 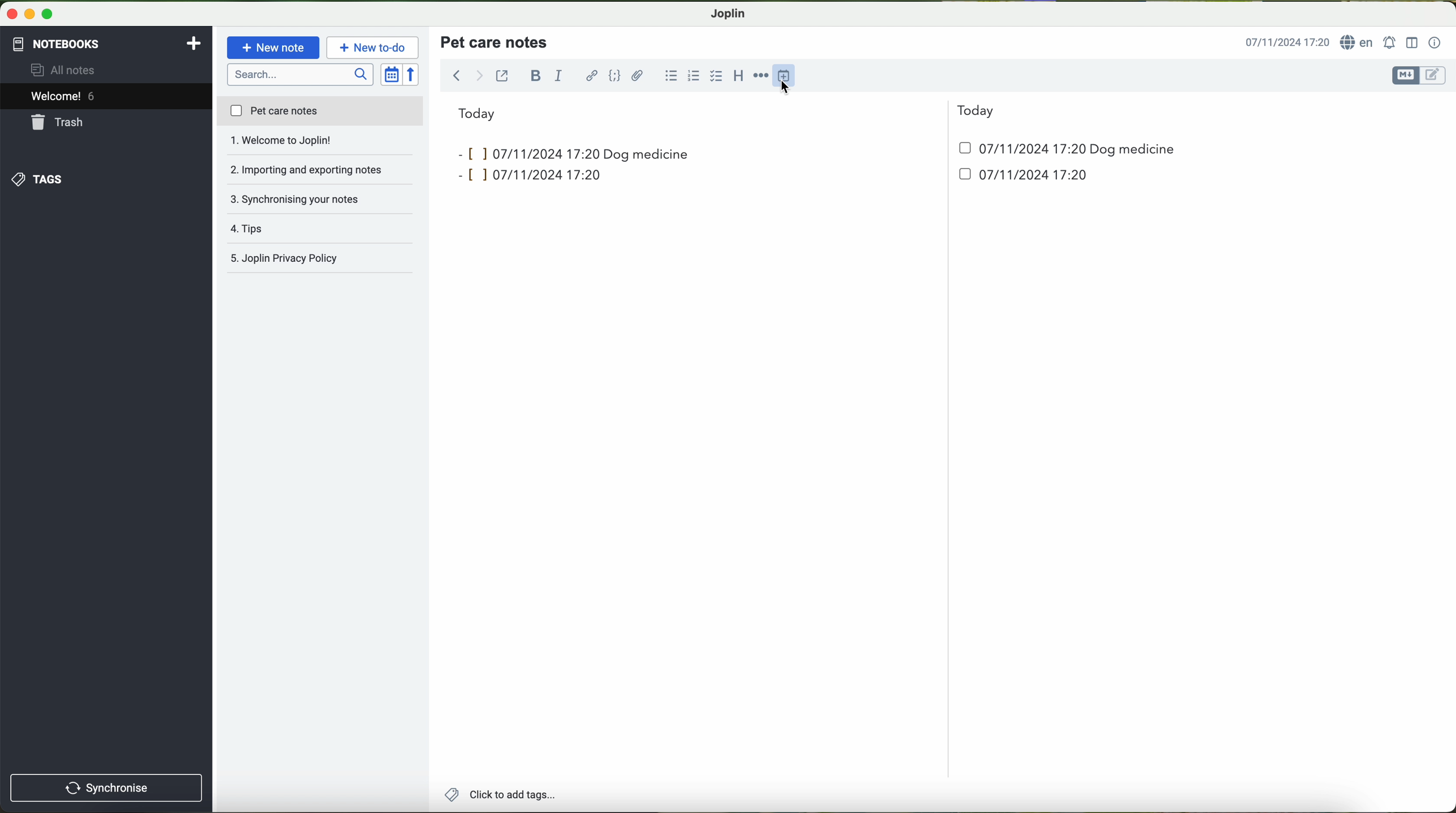 What do you see at coordinates (718, 76) in the screenshot?
I see `cursor on checkbox option` at bounding box center [718, 76].